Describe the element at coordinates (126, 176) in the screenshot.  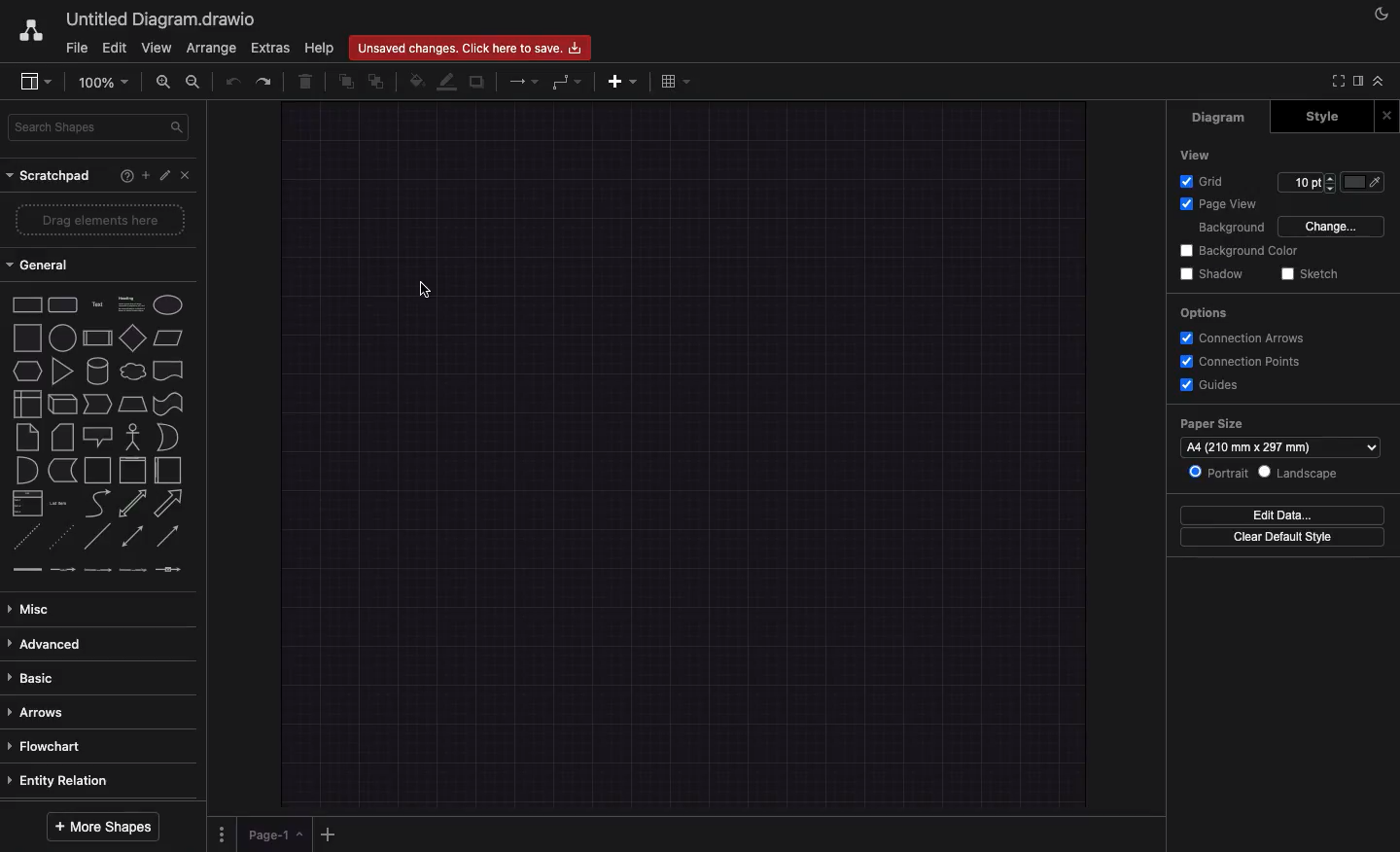
I see `Help` at that location.